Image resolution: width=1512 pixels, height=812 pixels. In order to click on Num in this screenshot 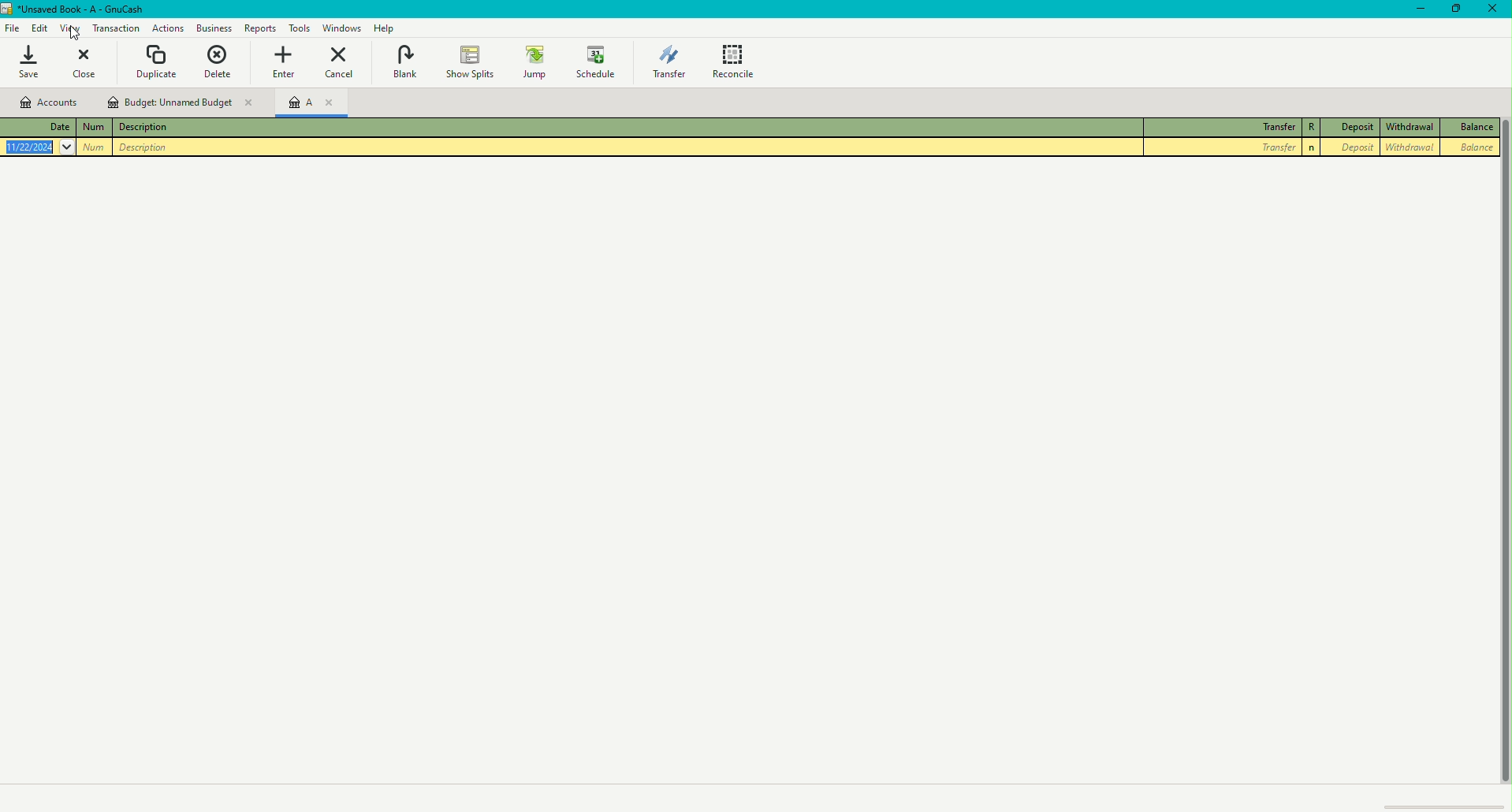, I will do `click(96, 147)`.